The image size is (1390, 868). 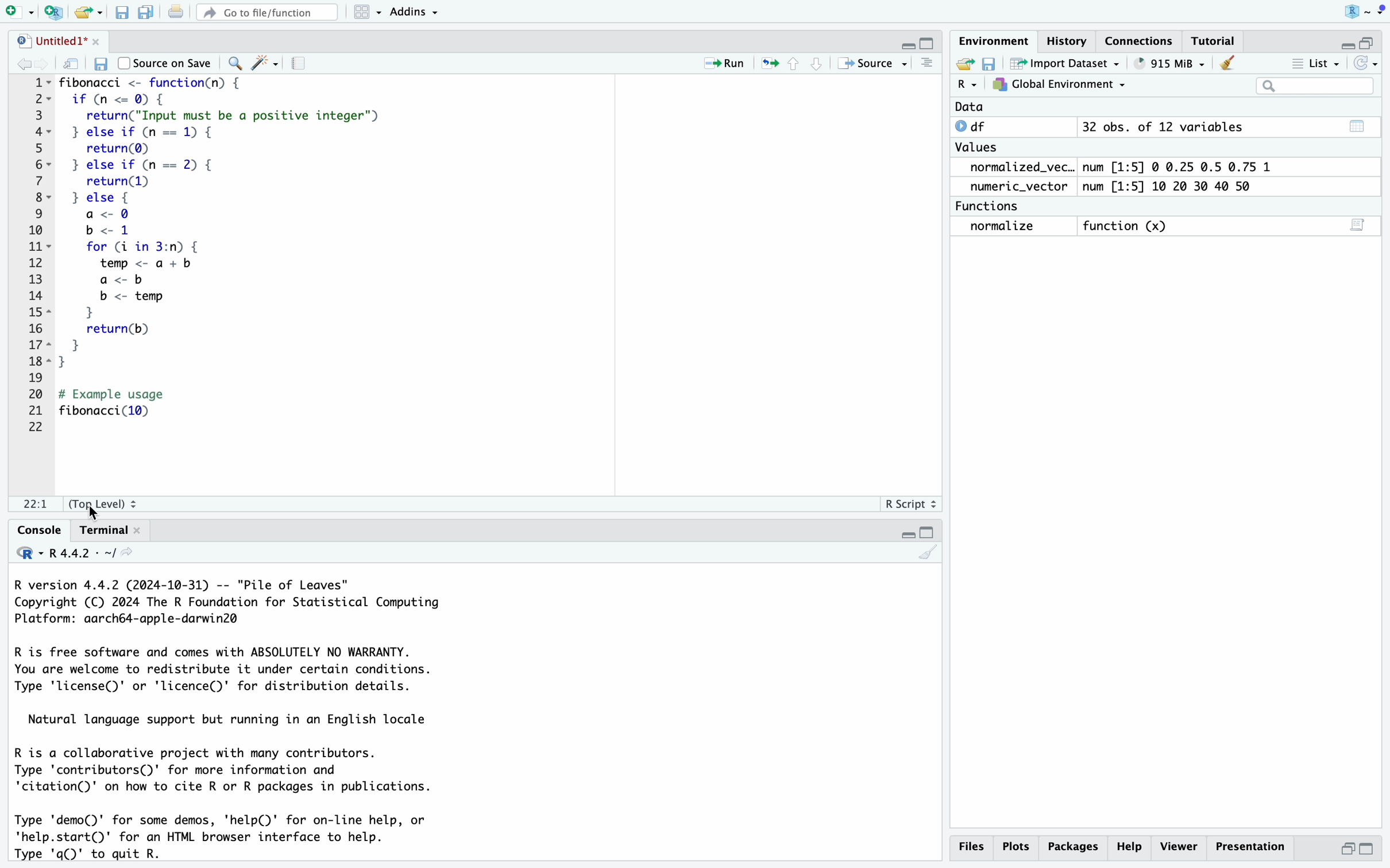 What do you see at coordinates (929, 530) in the screenshot?
I see `maximize` at bounding box center [929, 530].